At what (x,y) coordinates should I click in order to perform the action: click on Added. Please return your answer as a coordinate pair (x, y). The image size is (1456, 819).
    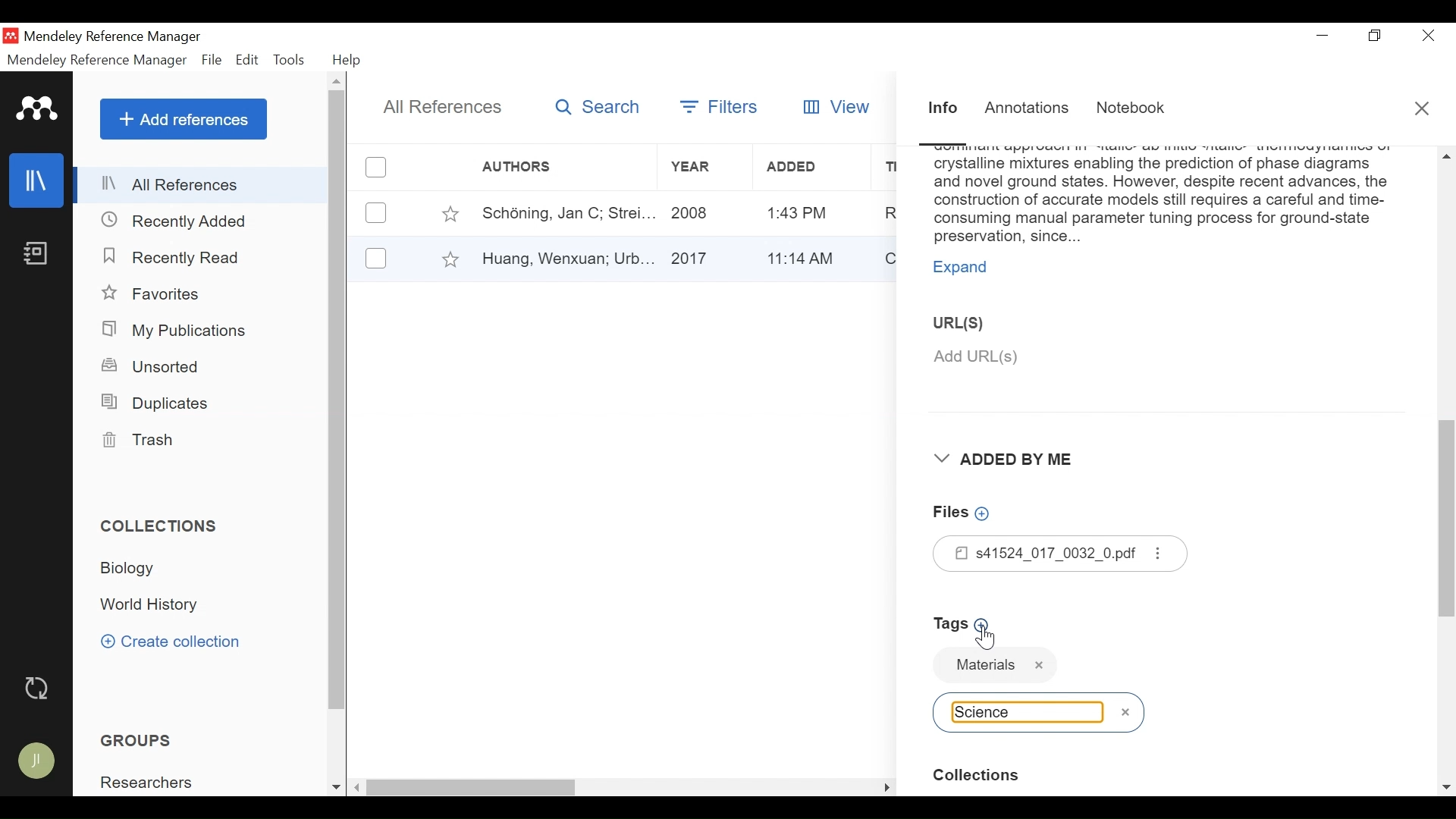
    Looking at the image, I should click on (807, 256).